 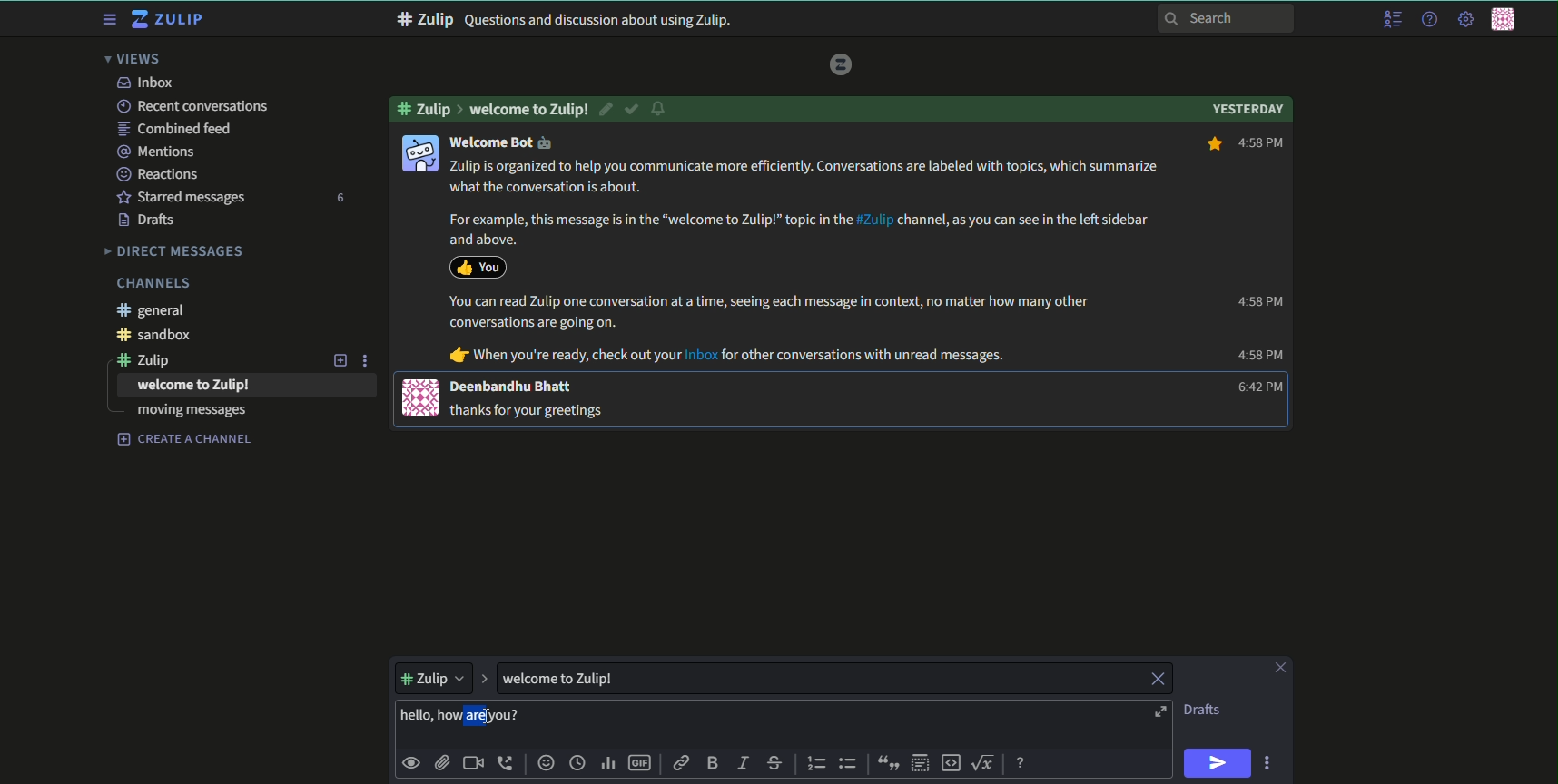 I want to click on #zulip, so click(x=153, y=359).